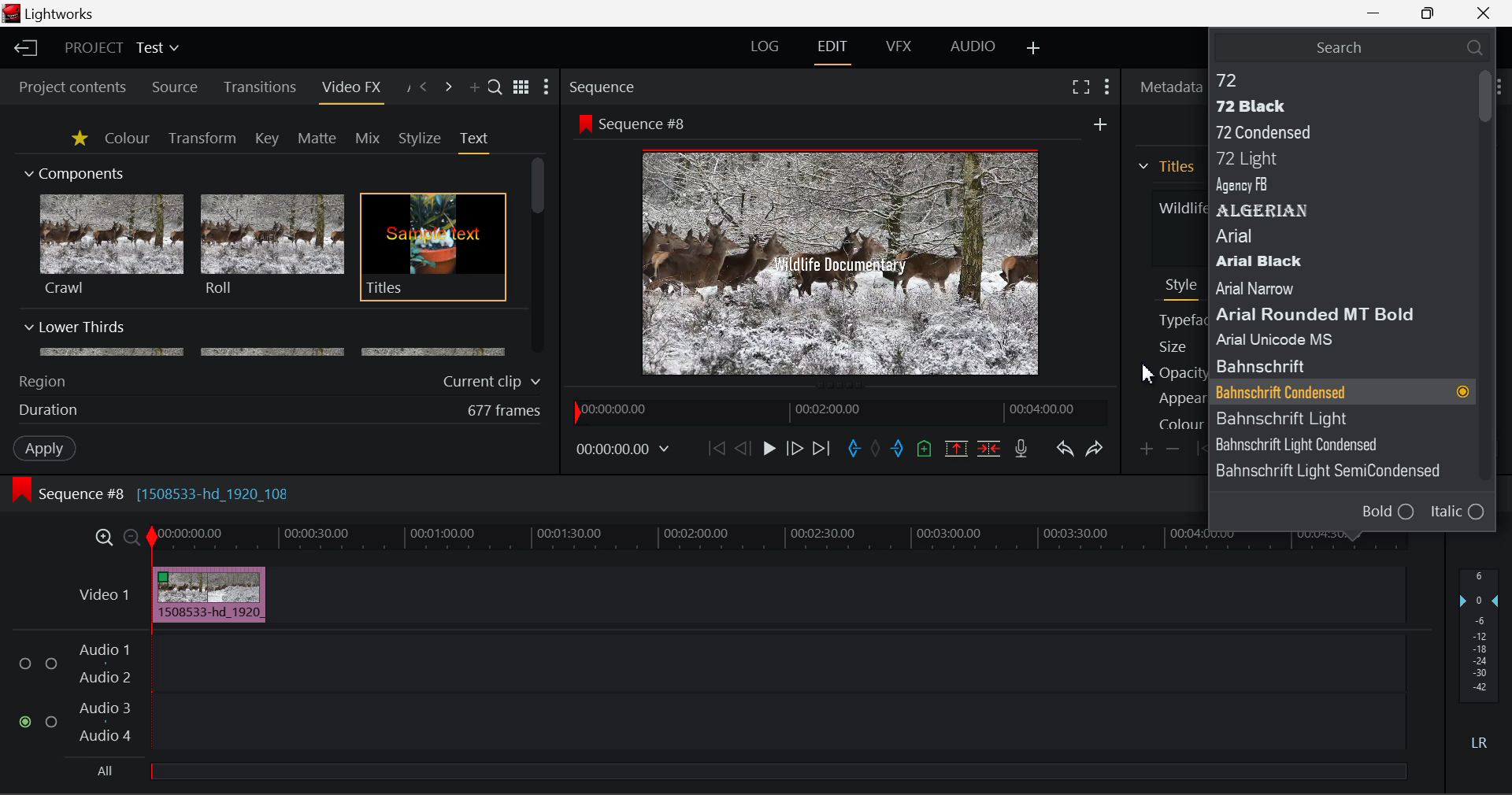 This screenshot has width=1512, height=795. I want to click on Favorites, so click(81, 139).